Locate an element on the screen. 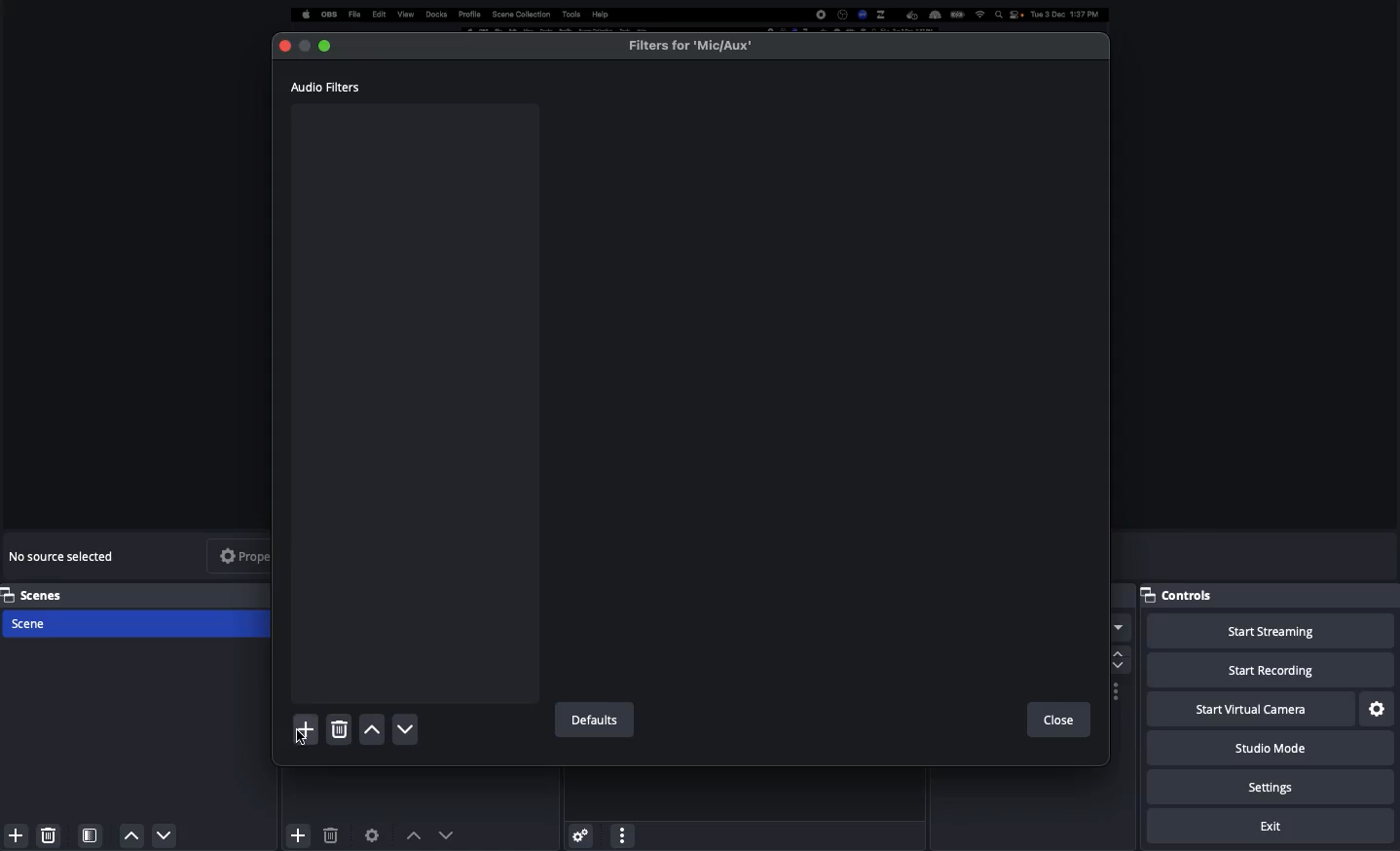 Image resolution: width=1400 pixels, height=851 pixels. Add is located at coordinates (13, 835).